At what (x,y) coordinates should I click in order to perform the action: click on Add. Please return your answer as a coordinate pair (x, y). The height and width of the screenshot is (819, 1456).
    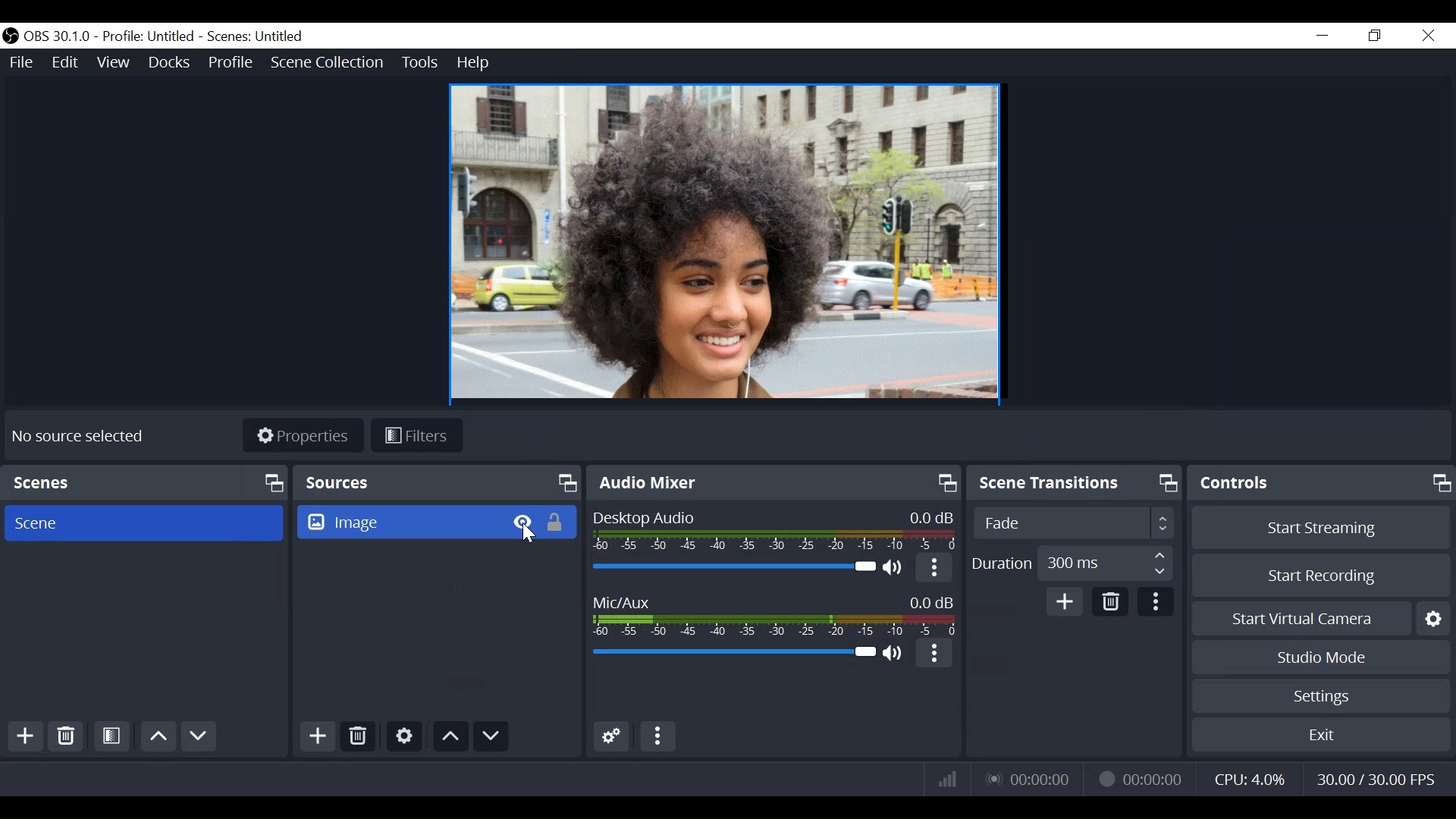
    Looking at the image, I should click on (318, 737).